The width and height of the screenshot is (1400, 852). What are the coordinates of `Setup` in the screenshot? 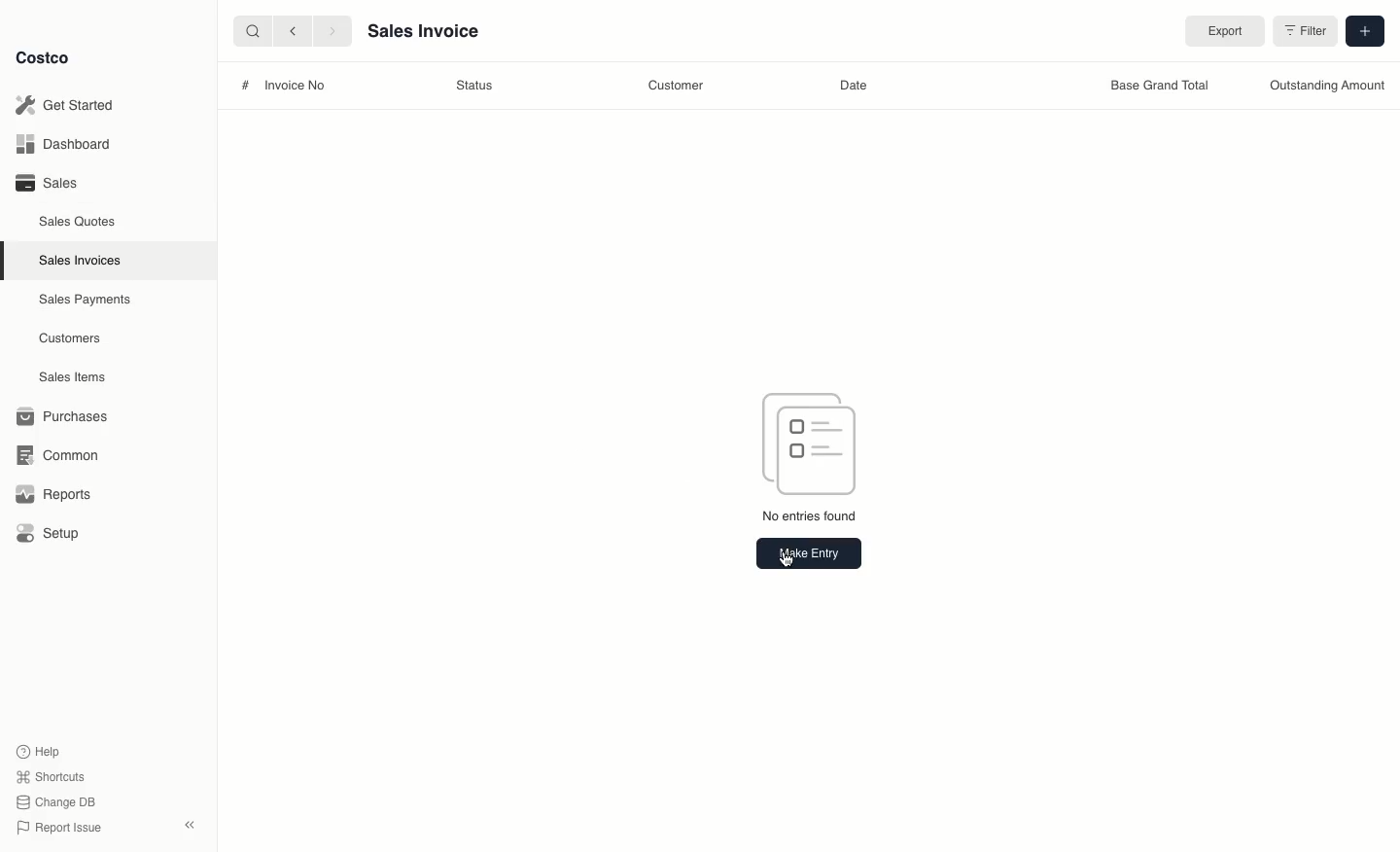 It's located at (50, 535).